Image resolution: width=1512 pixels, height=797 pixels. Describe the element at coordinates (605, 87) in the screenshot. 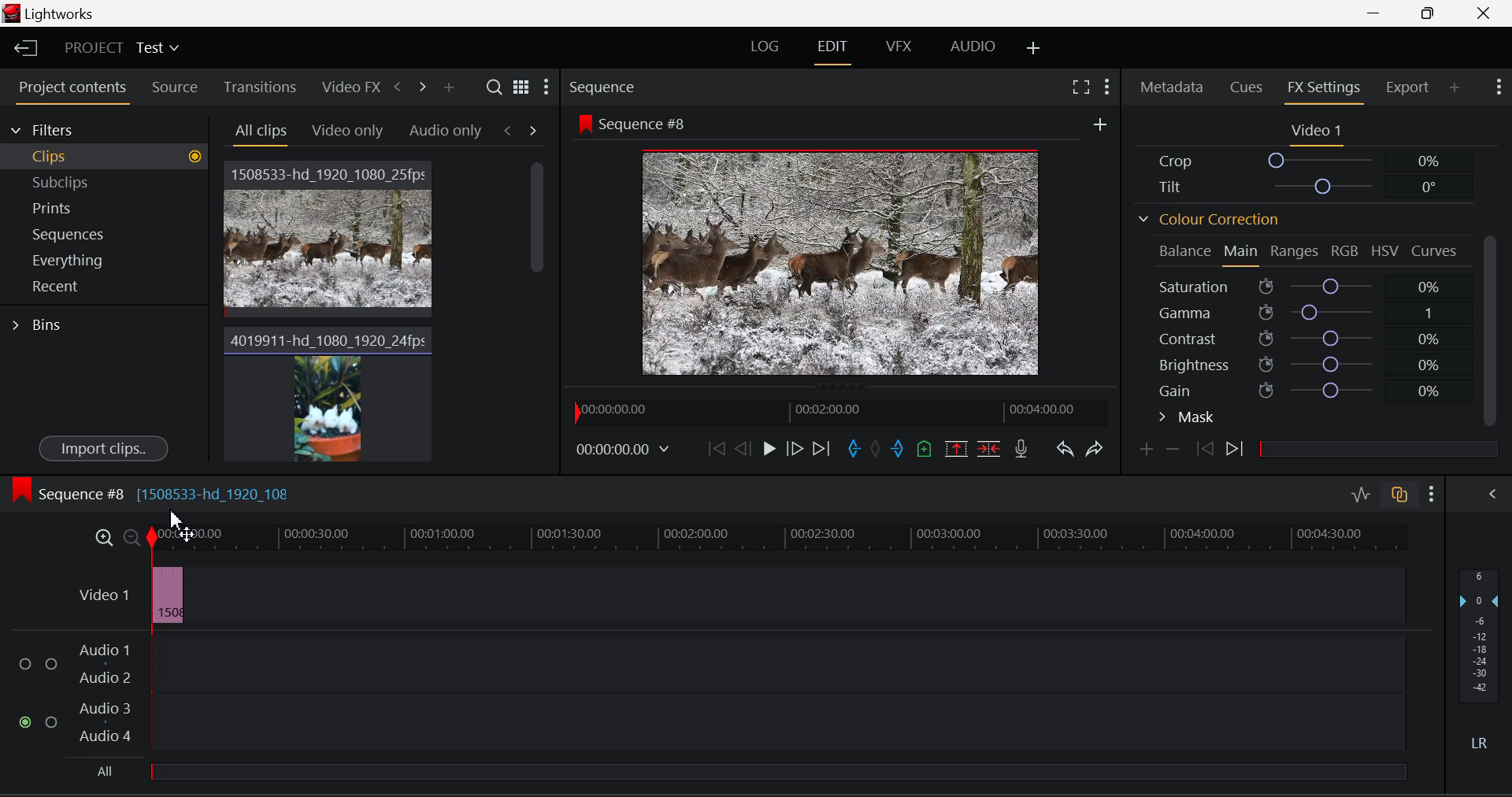

I see `Sequence Preview Section Heading` at that location.